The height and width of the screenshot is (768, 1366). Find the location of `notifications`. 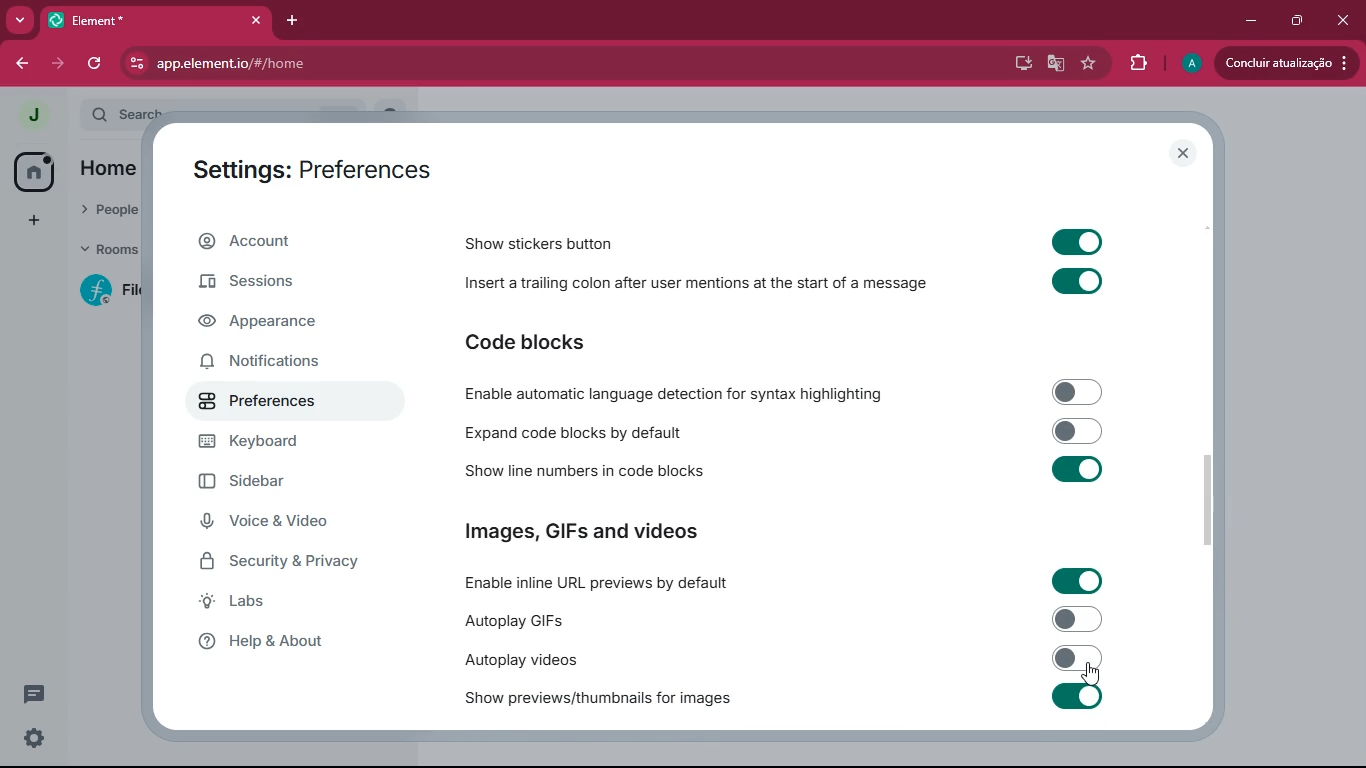

notifications is located at coordinates (268, 363).